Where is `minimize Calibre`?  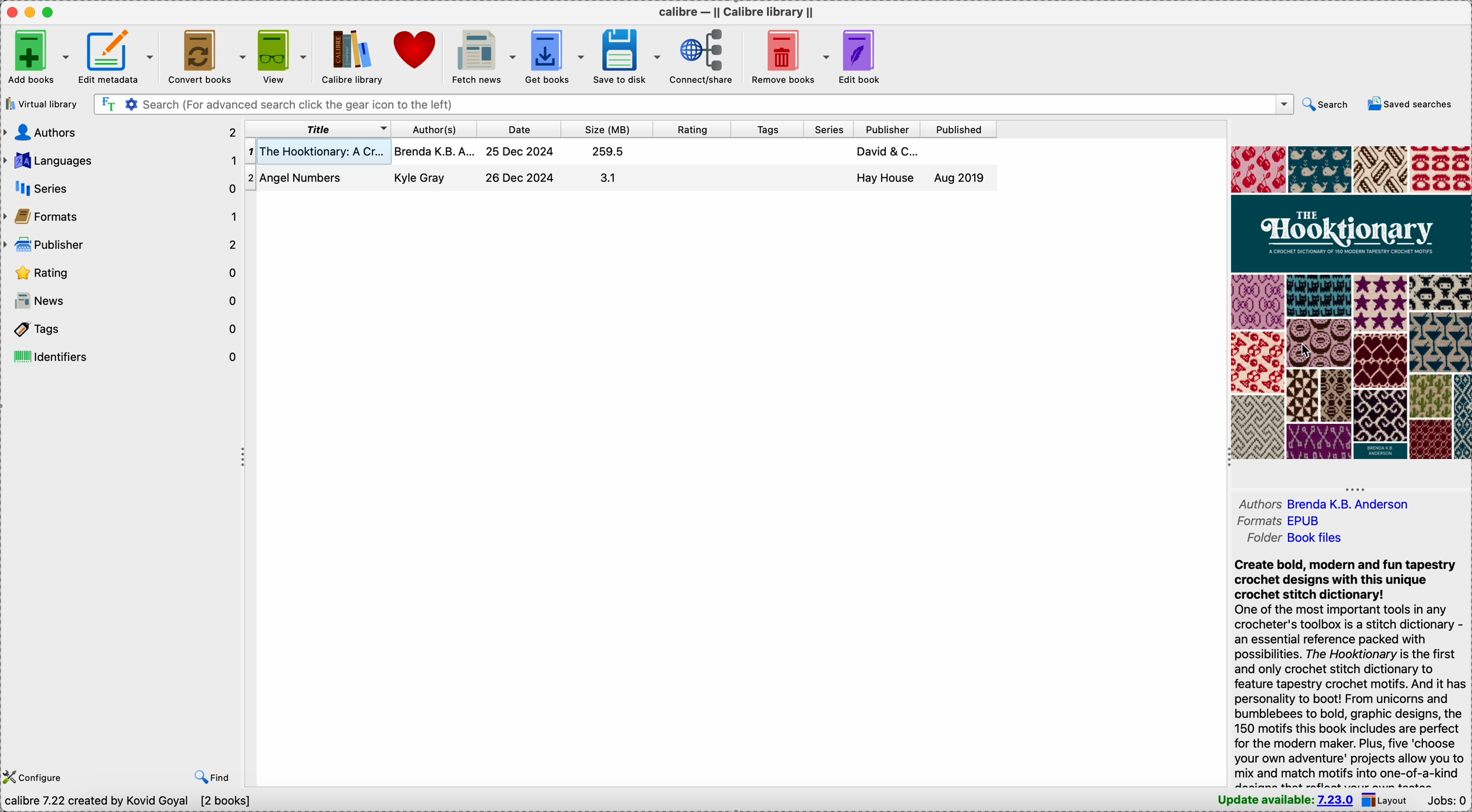 minimize Calibre is located at coordinates (30, 13).